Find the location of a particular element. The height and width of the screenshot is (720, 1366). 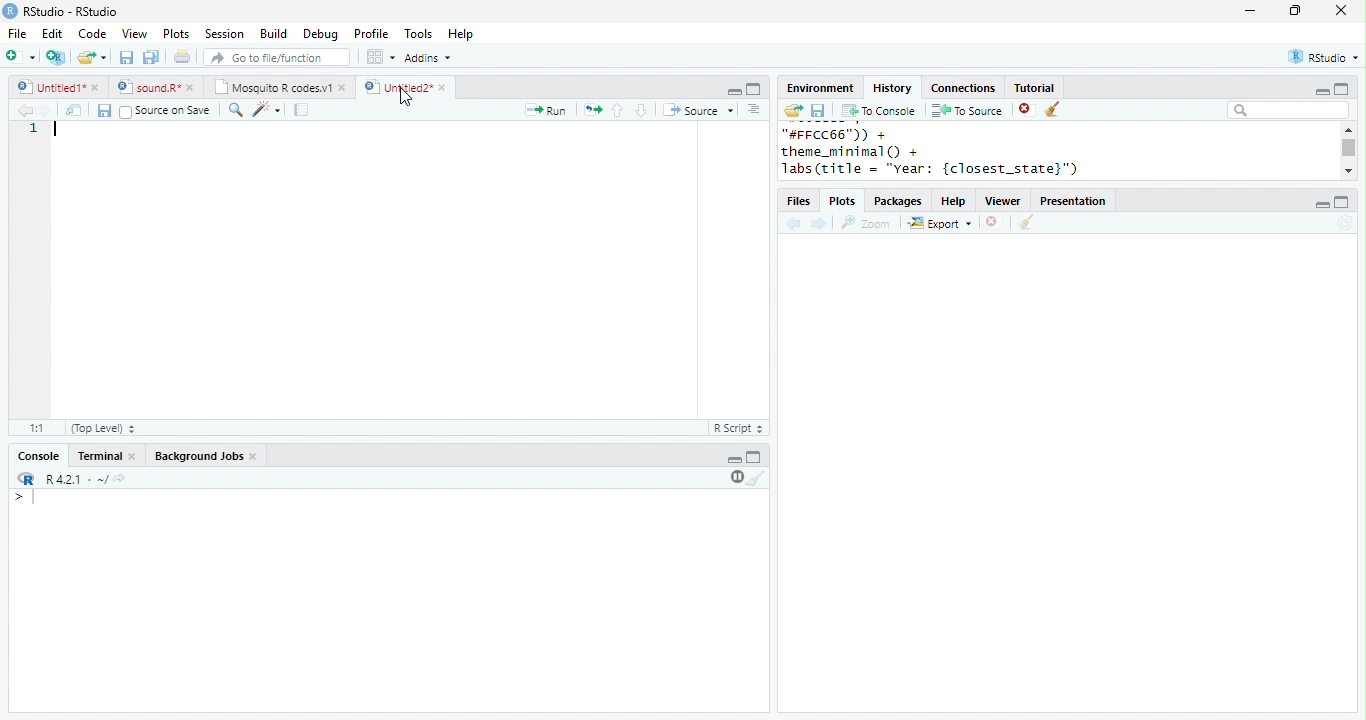

scroll bar is located at coordinates (1349, 147).